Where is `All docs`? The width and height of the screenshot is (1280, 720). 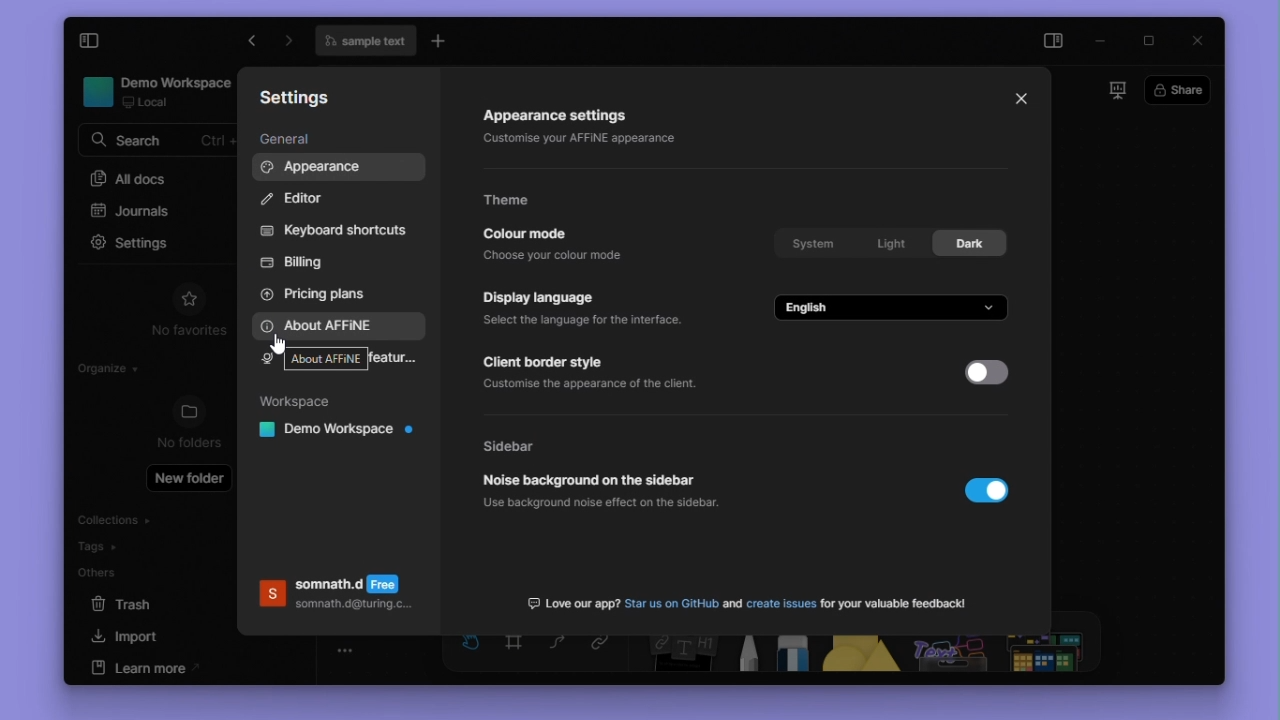
All docs is located at coordinates (155, 181).